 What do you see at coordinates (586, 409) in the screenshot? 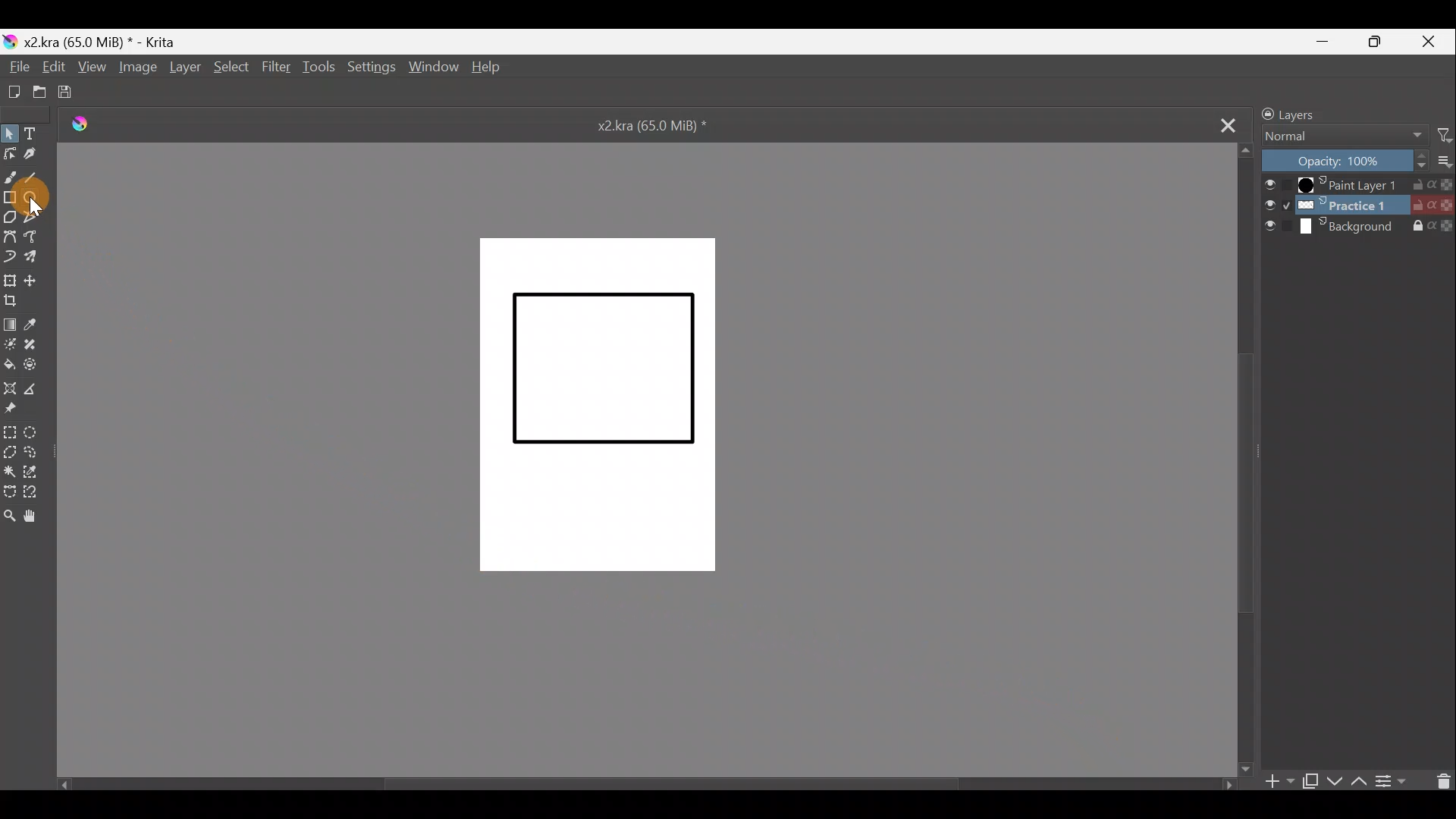
I see `Canvas` at bounding box center [586, 409].